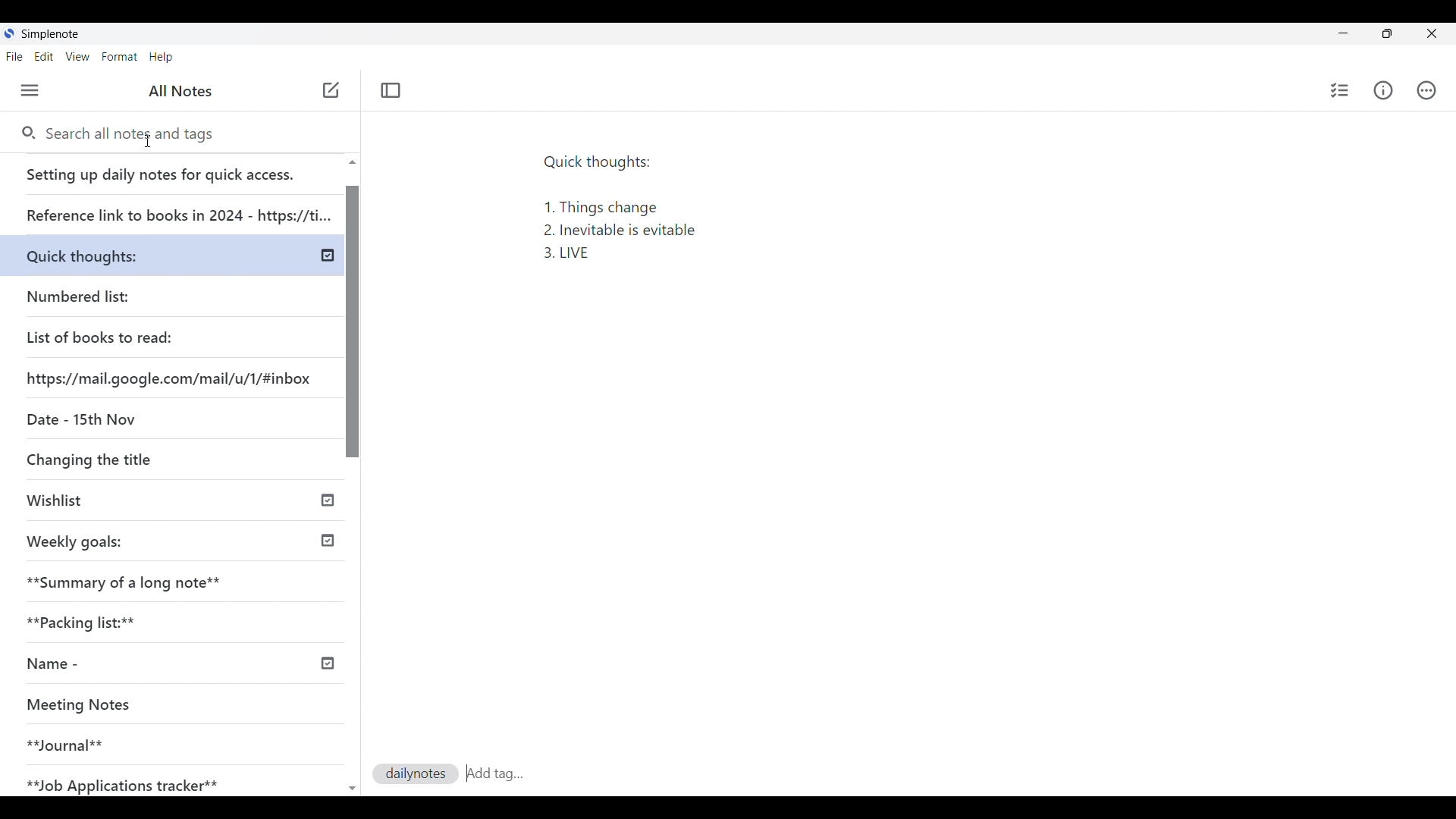 The image size is (1456, 819). What do you see at coordinates (331, 91) in the screenshot?
I see `Cursor position unchanged` at bounding box center [331, 91].